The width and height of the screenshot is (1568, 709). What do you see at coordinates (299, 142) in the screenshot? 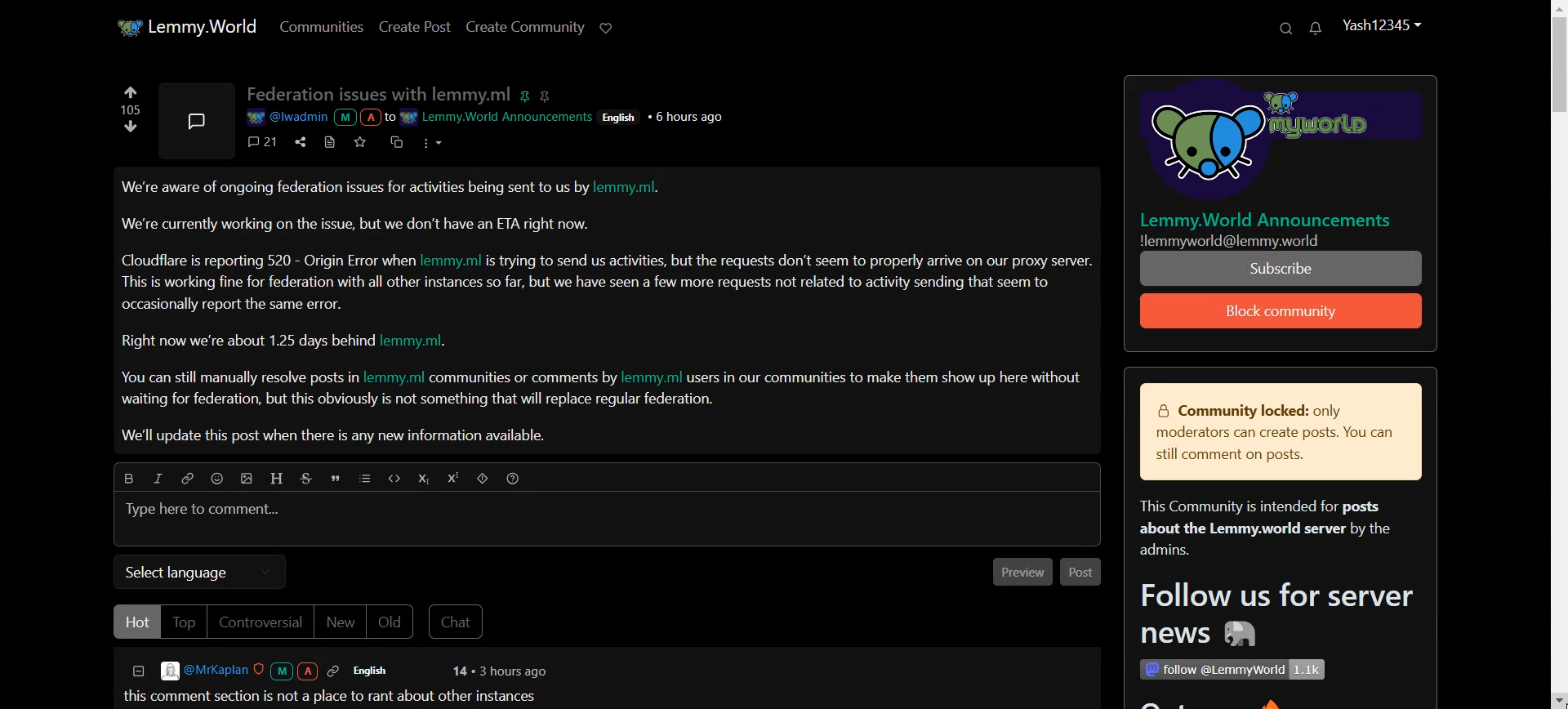
I see `Share` at bounding box center [299, 142].